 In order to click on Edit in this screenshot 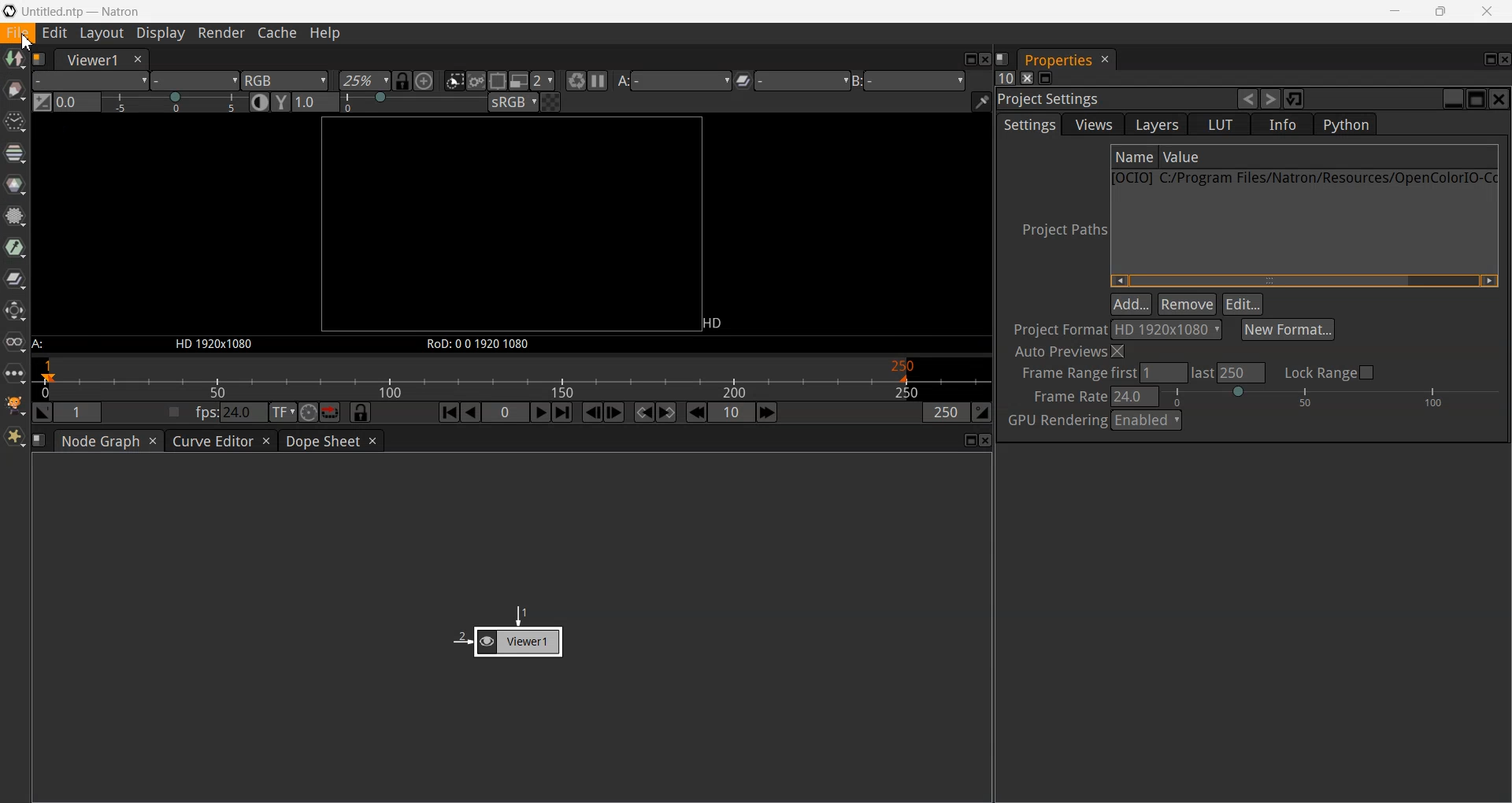, I will do `click(55, 33)`.